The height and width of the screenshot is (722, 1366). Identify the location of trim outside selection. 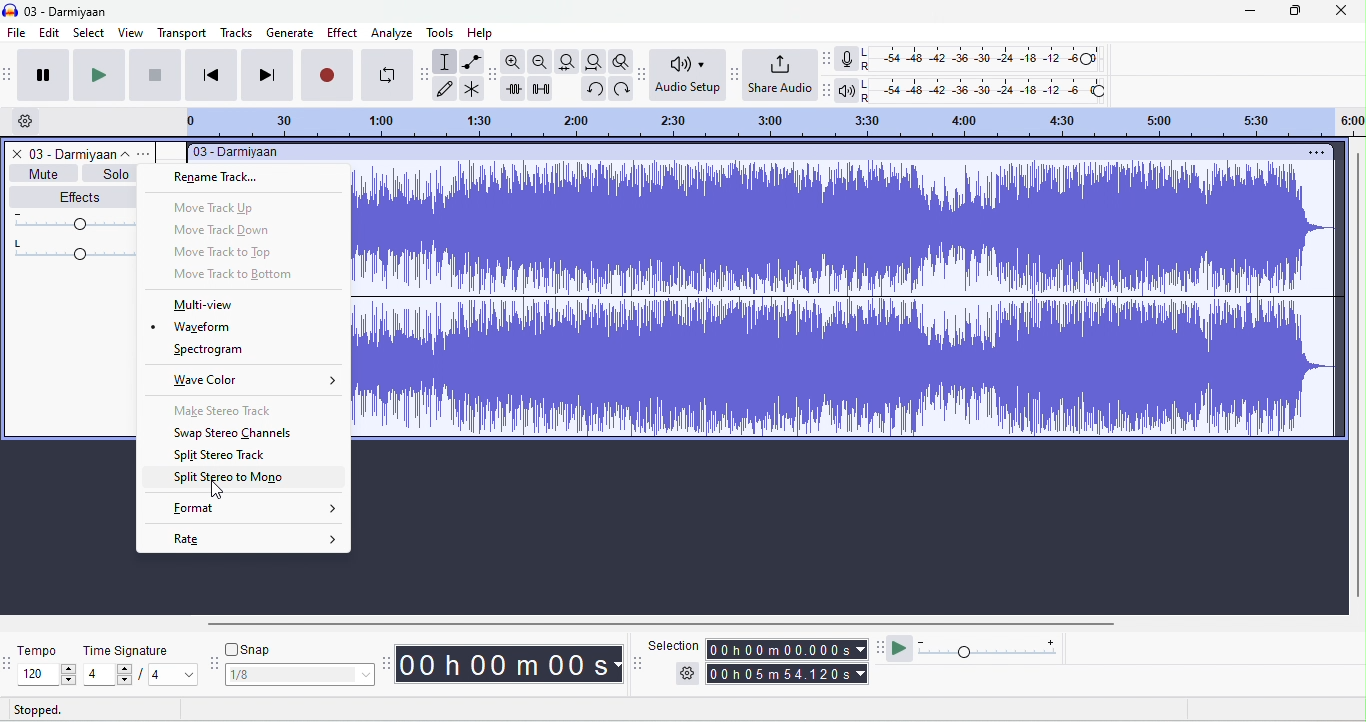
(512, 89).